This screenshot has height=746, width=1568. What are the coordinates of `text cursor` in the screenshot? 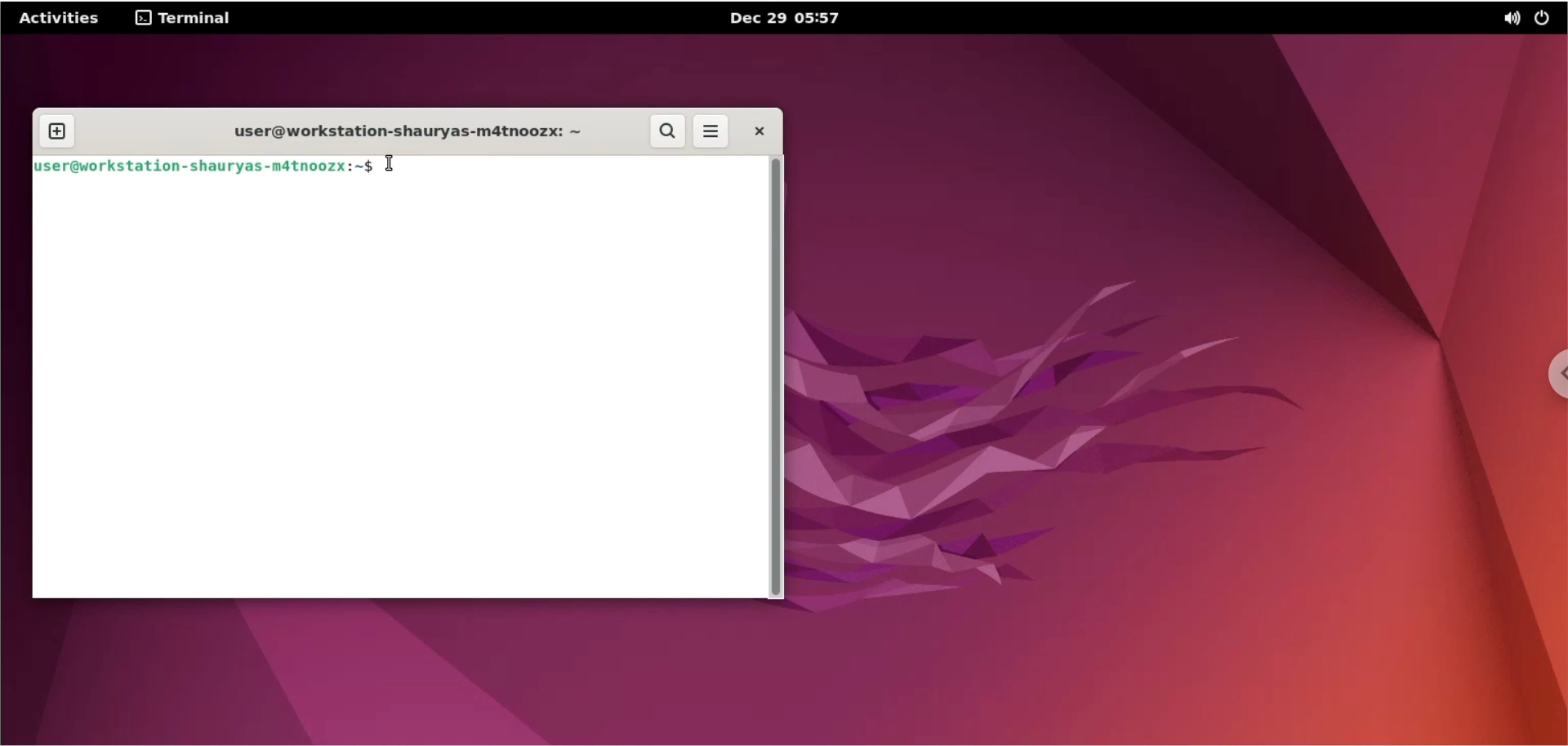 It's located at (390, 165).